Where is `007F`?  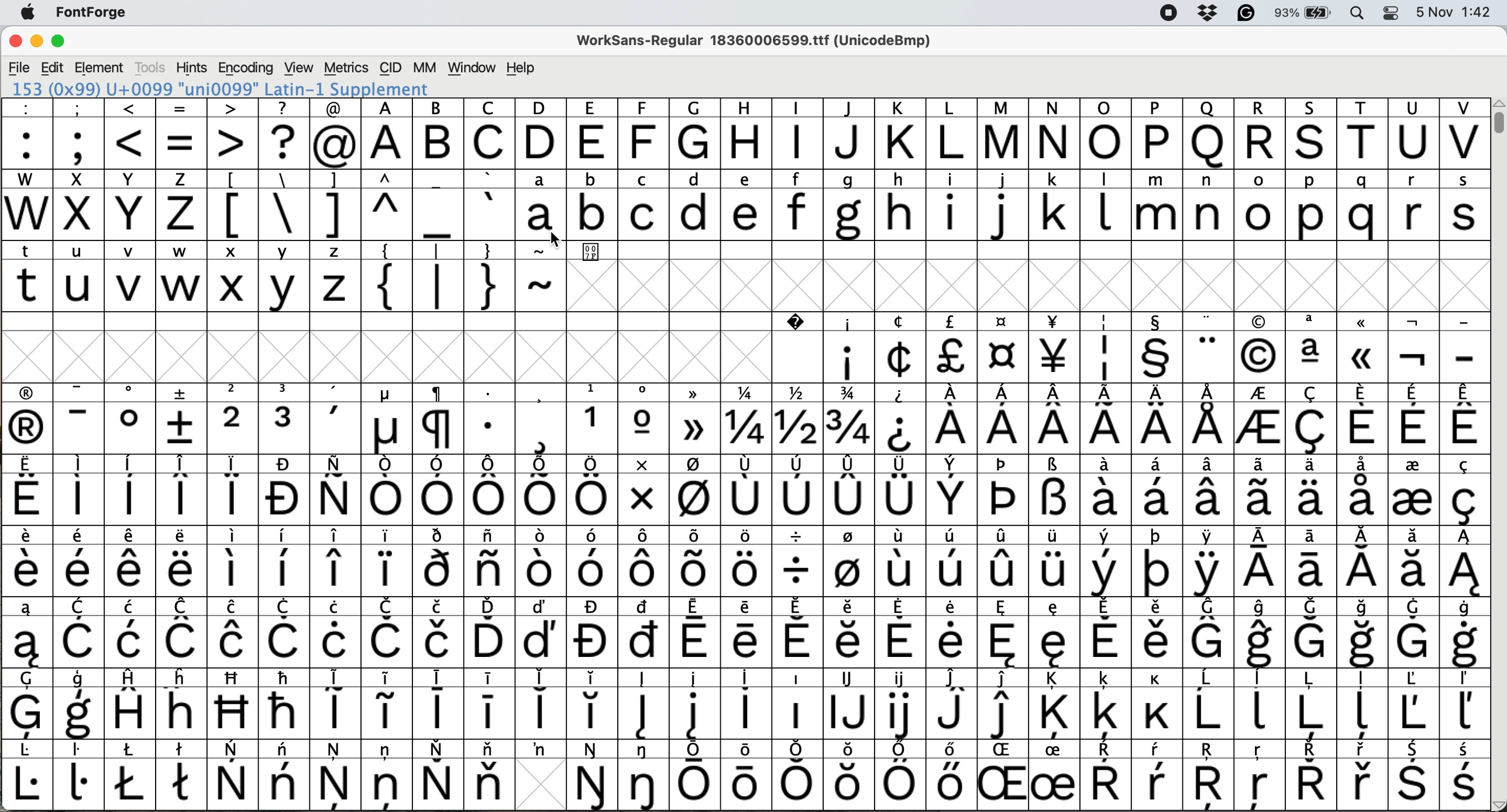 007F is located at coordinates (591, 253).